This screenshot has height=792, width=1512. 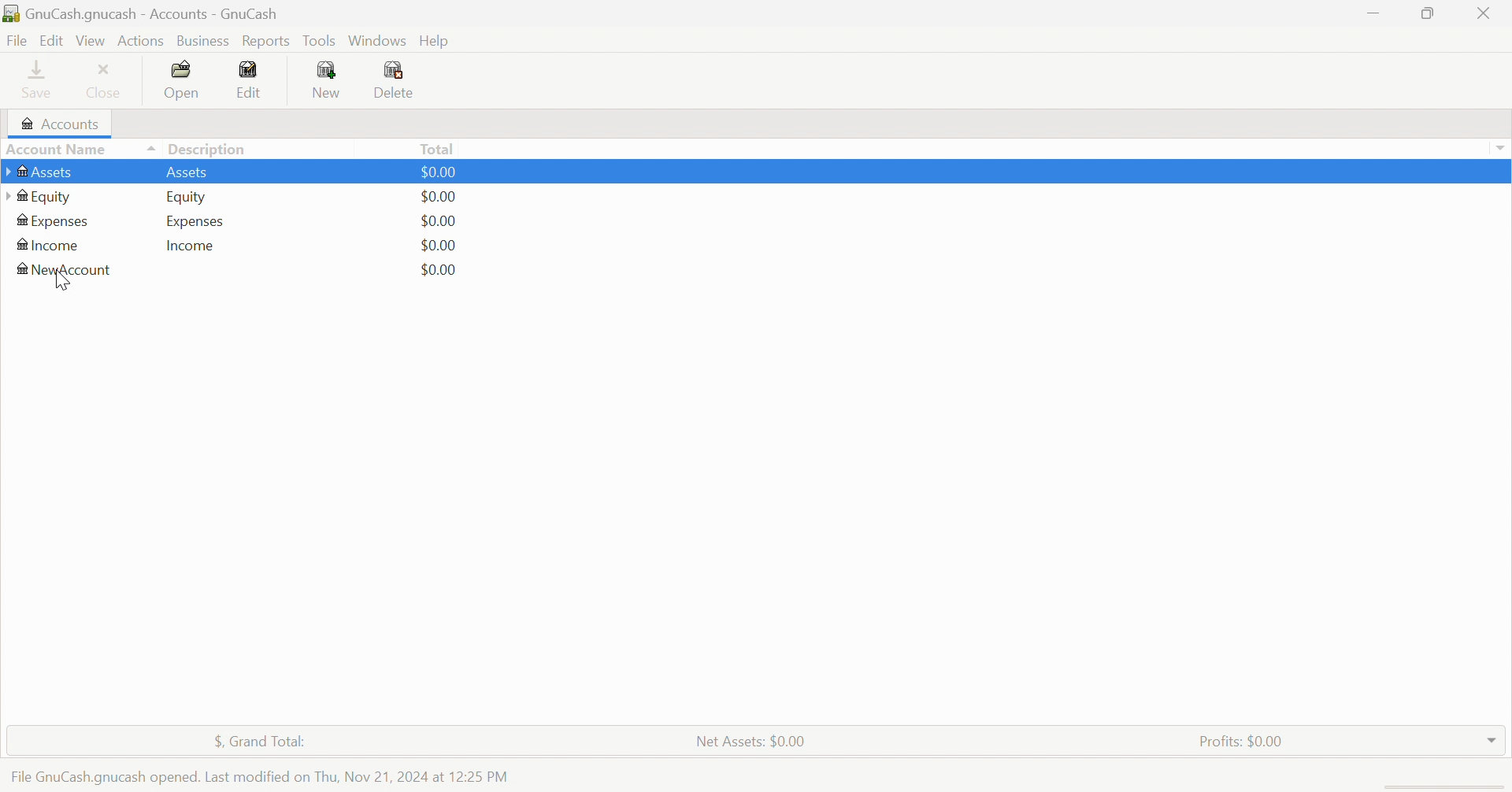 I want to click on Accounts, so click(x=63, y=124).